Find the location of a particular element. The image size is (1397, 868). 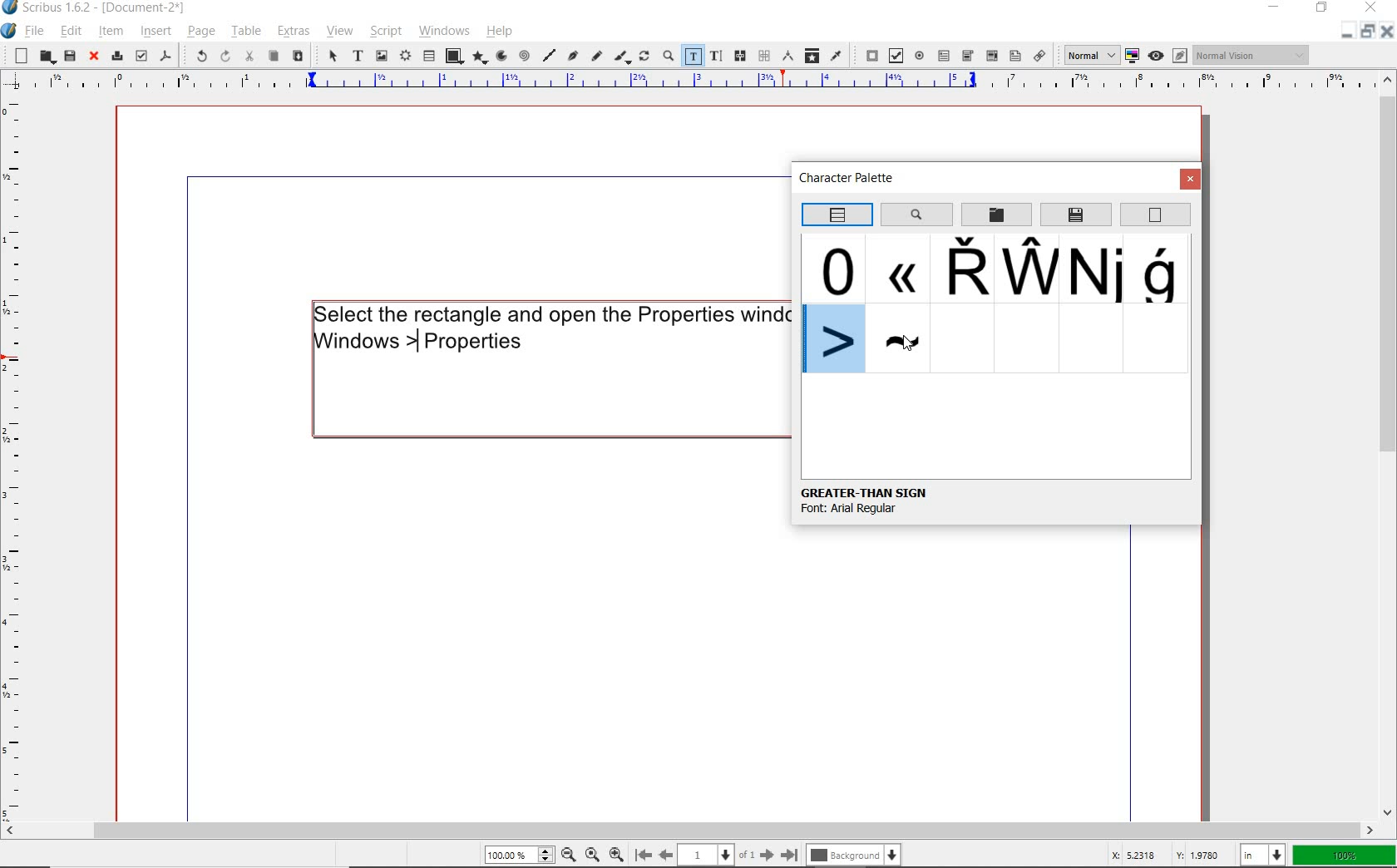

glyphs is located at coordinates (1028, 268).